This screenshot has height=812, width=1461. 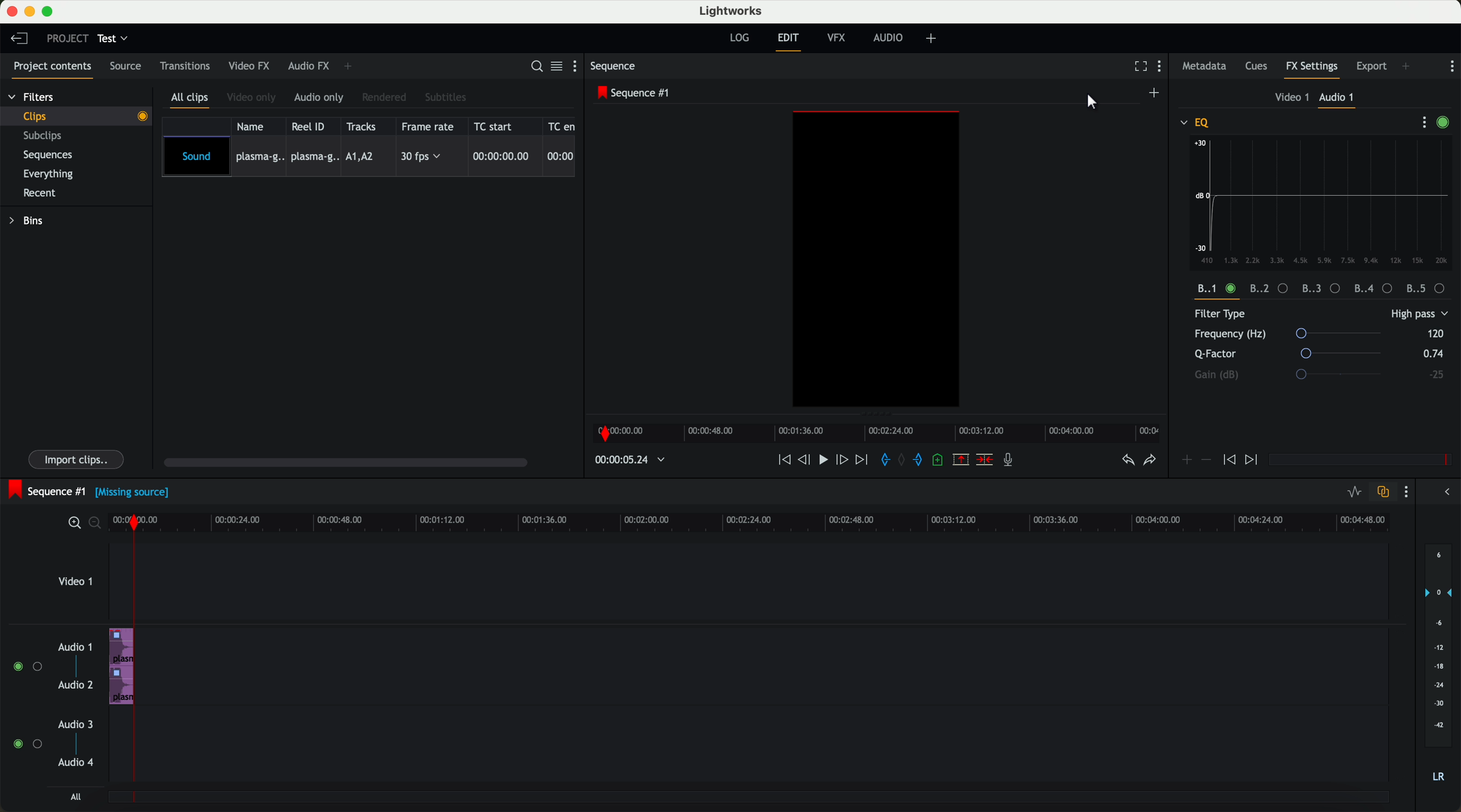 What do you see at coordinates (185, 68) in the screenshot?
I see `transitions` at bounding box center [185, 68].